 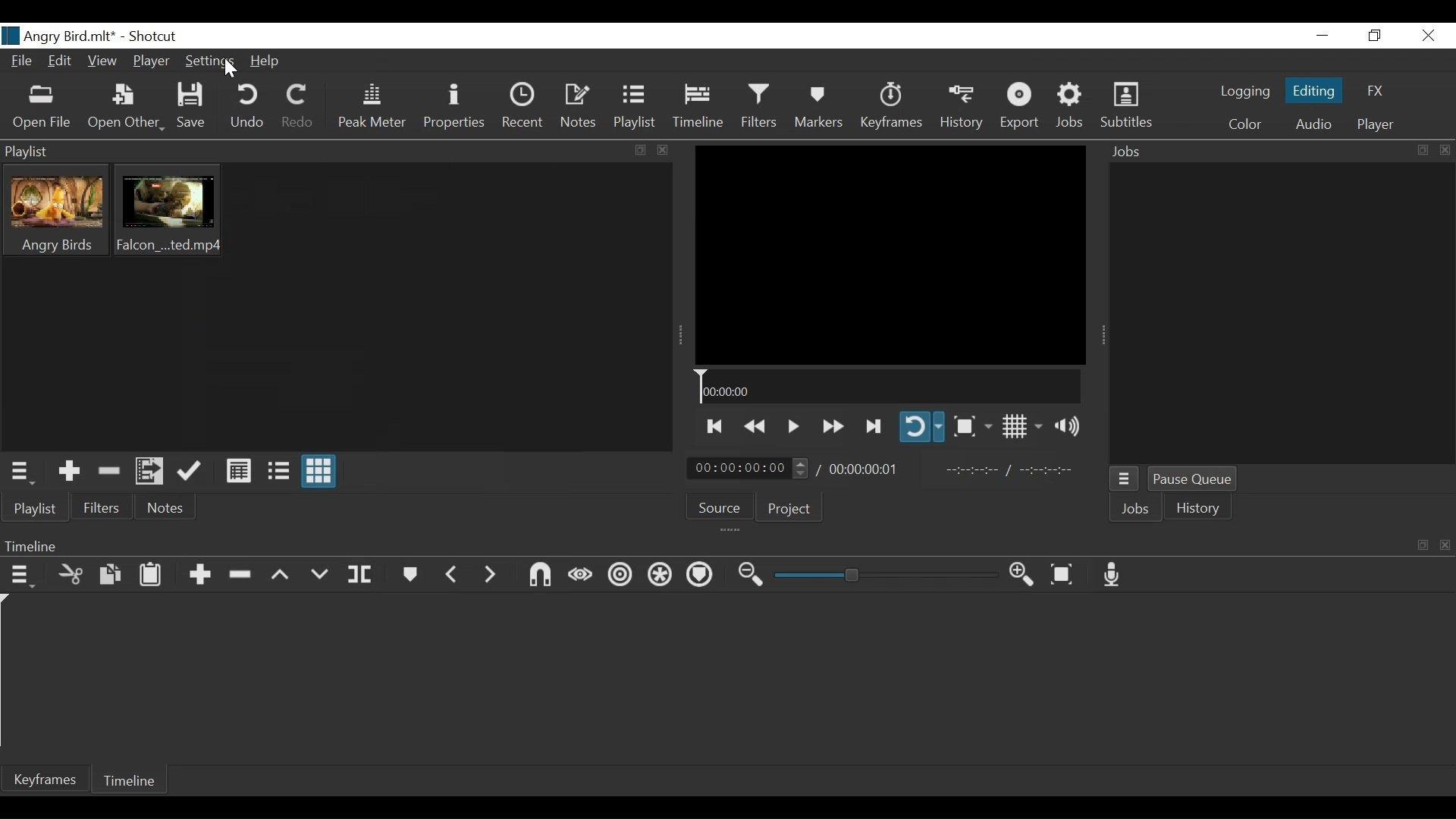 I want to click on FX, so click(x=1376, y=91).